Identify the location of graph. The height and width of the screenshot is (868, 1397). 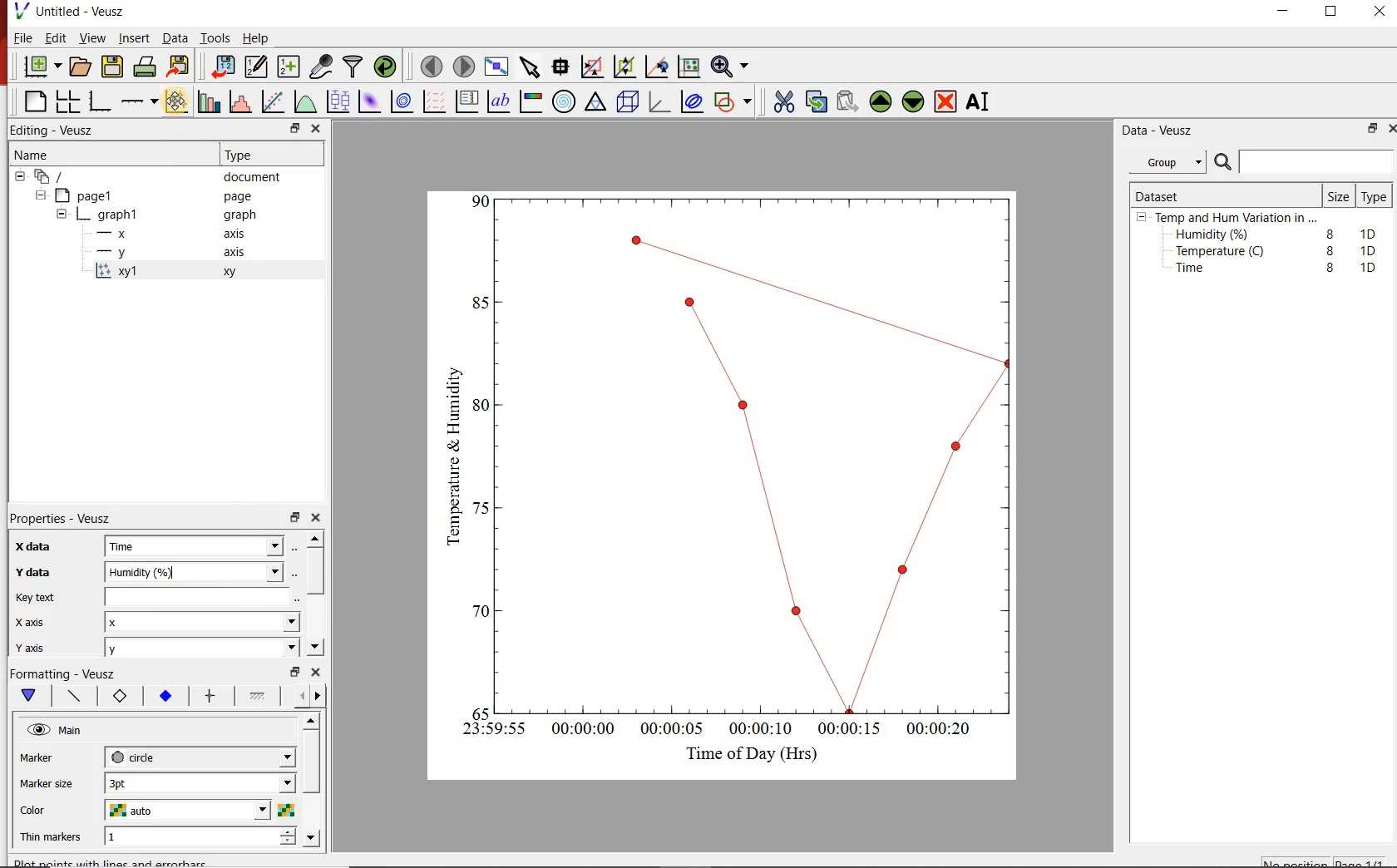
(119, 214).